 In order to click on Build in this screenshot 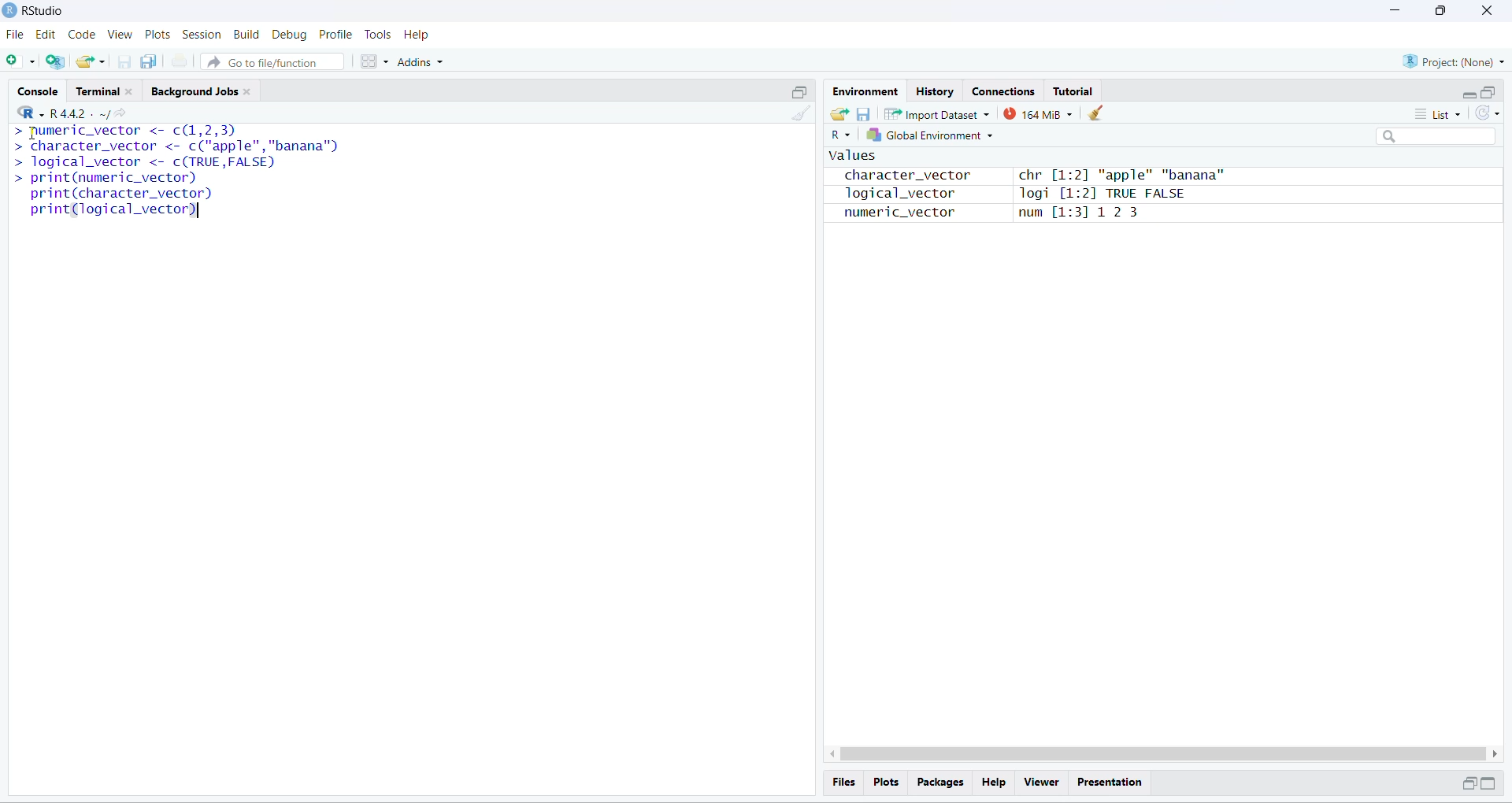, I will do `click(246, 34)`.